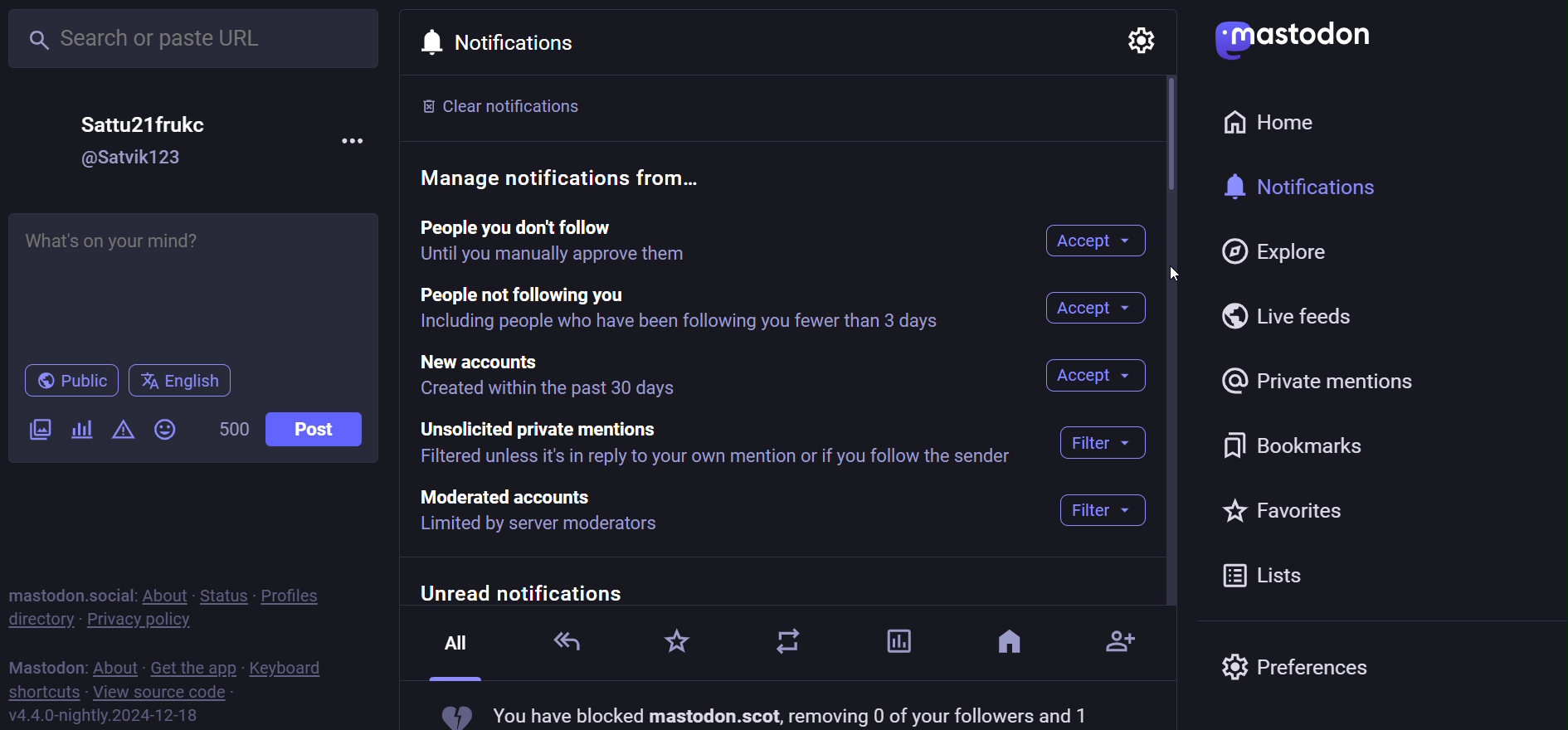 This screenshot has width=1568, height=730. I want to click on Sattu21frukc, so click(145, 123).